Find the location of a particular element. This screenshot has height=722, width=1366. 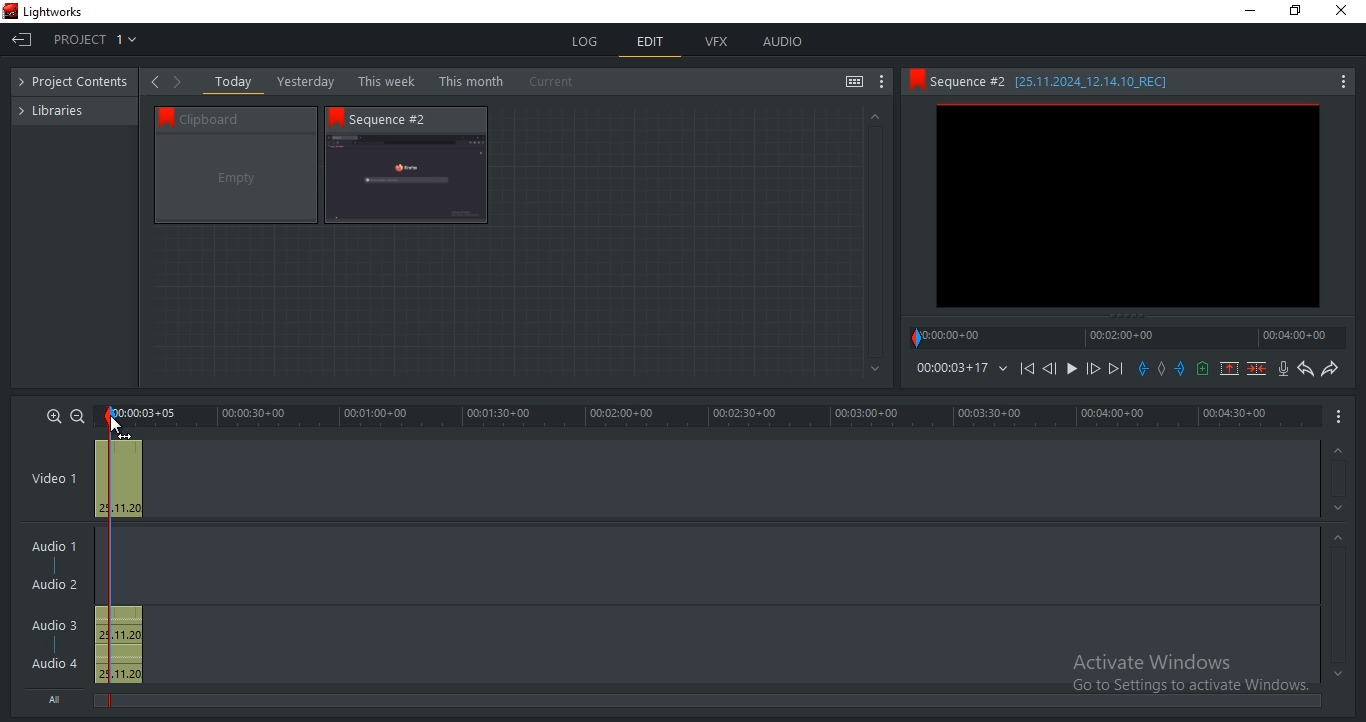

timeline is located at coordinates (951, 368).